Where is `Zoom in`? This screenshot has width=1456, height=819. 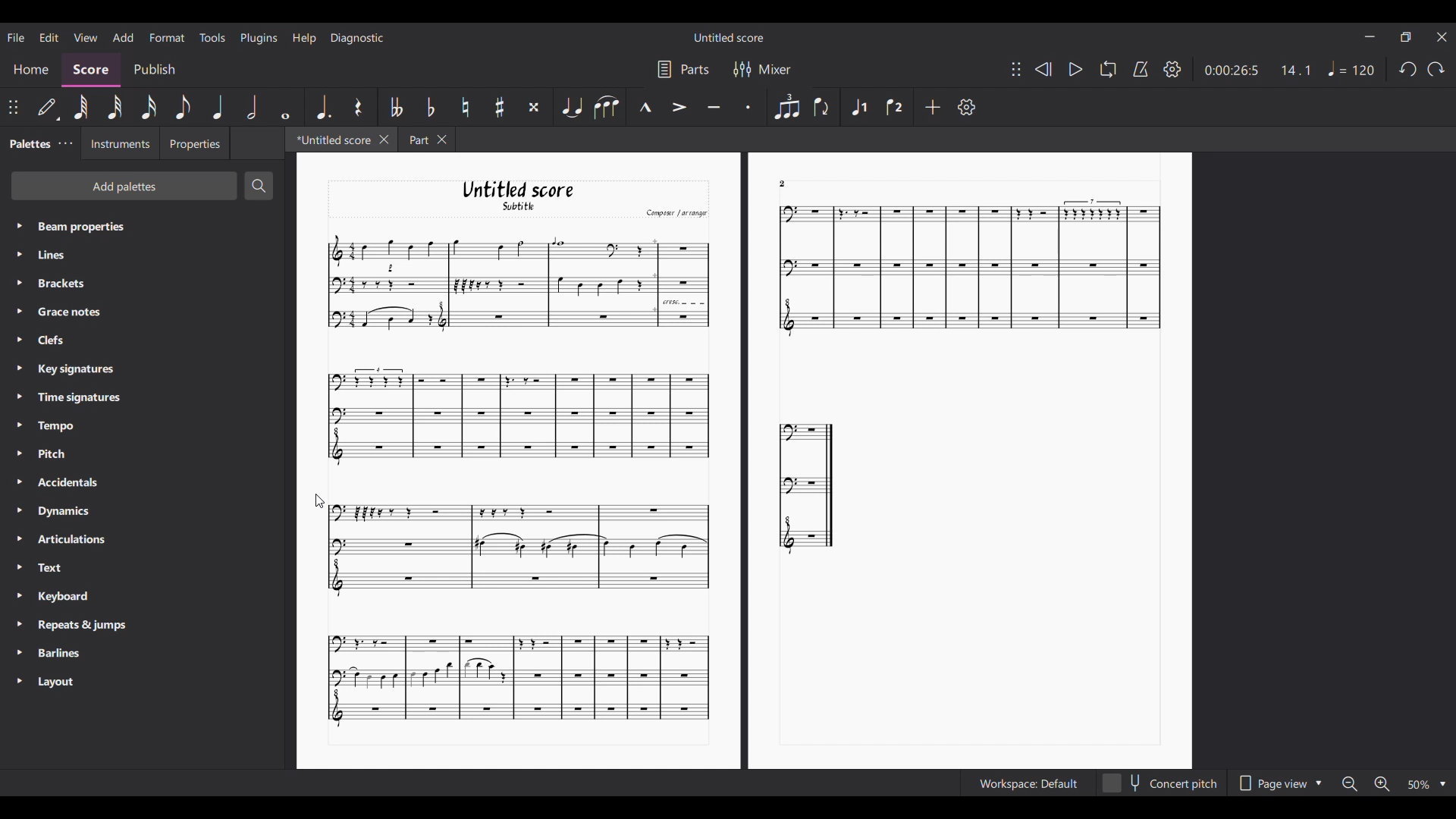
Zoom in is located at coordinates (1383, 785).